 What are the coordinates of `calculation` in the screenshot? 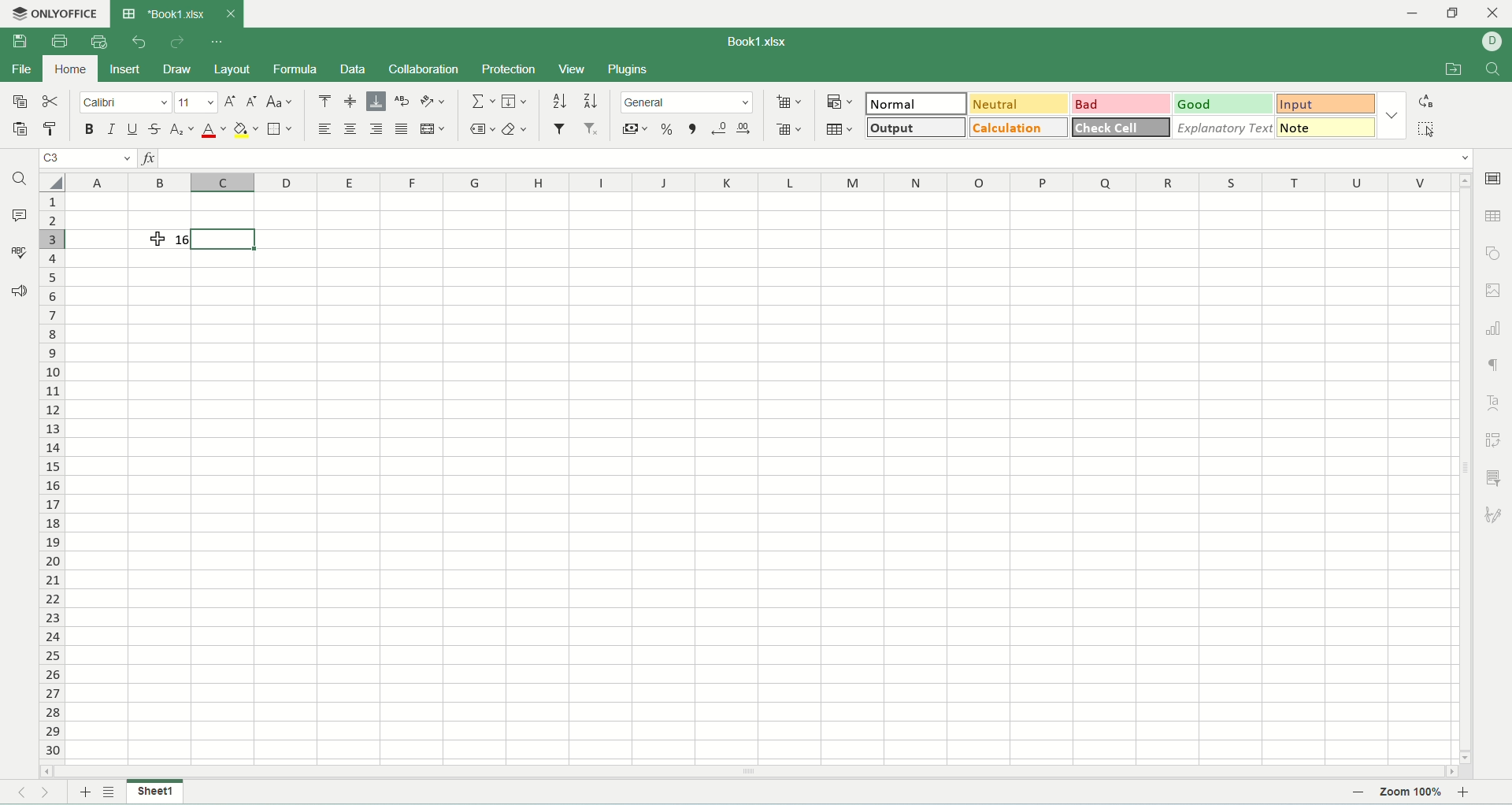 It's located at (1020, 128).